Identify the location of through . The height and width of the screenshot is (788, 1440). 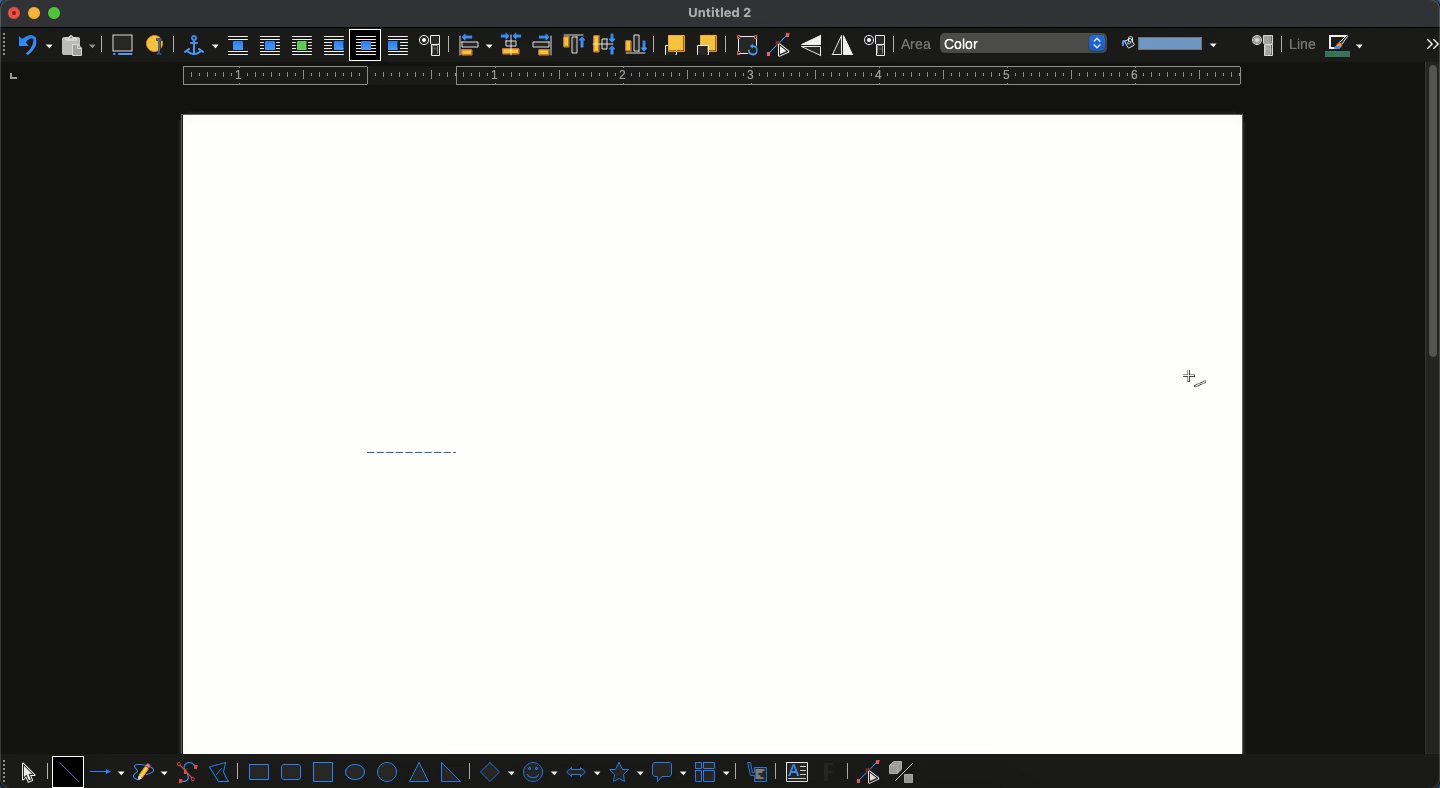
(365, 46).